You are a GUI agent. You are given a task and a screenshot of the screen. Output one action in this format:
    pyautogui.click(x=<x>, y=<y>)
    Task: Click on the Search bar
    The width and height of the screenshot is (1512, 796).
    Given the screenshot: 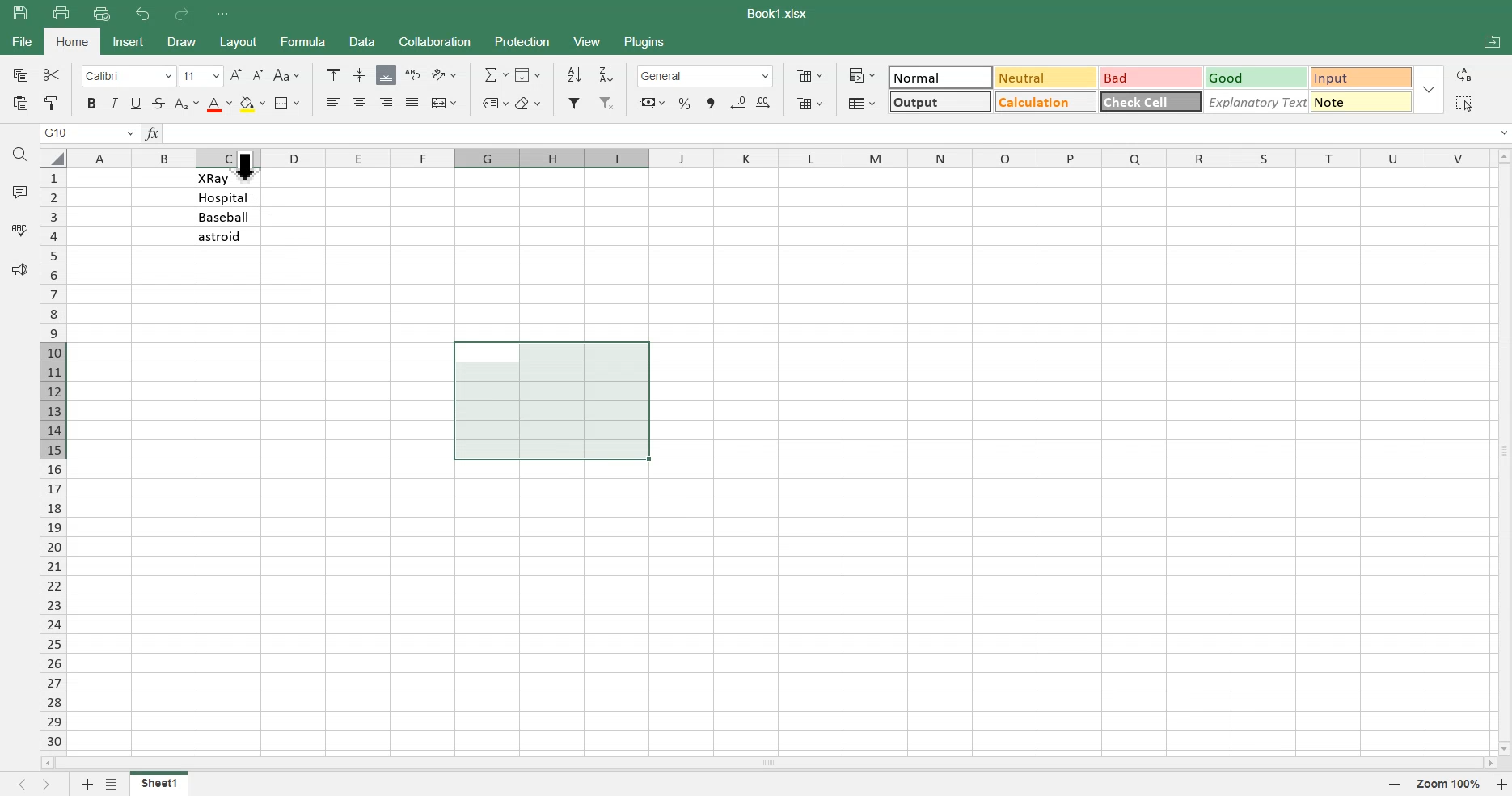 What is the action you would take?
    pyautogui.click(x=840, y=134)
    